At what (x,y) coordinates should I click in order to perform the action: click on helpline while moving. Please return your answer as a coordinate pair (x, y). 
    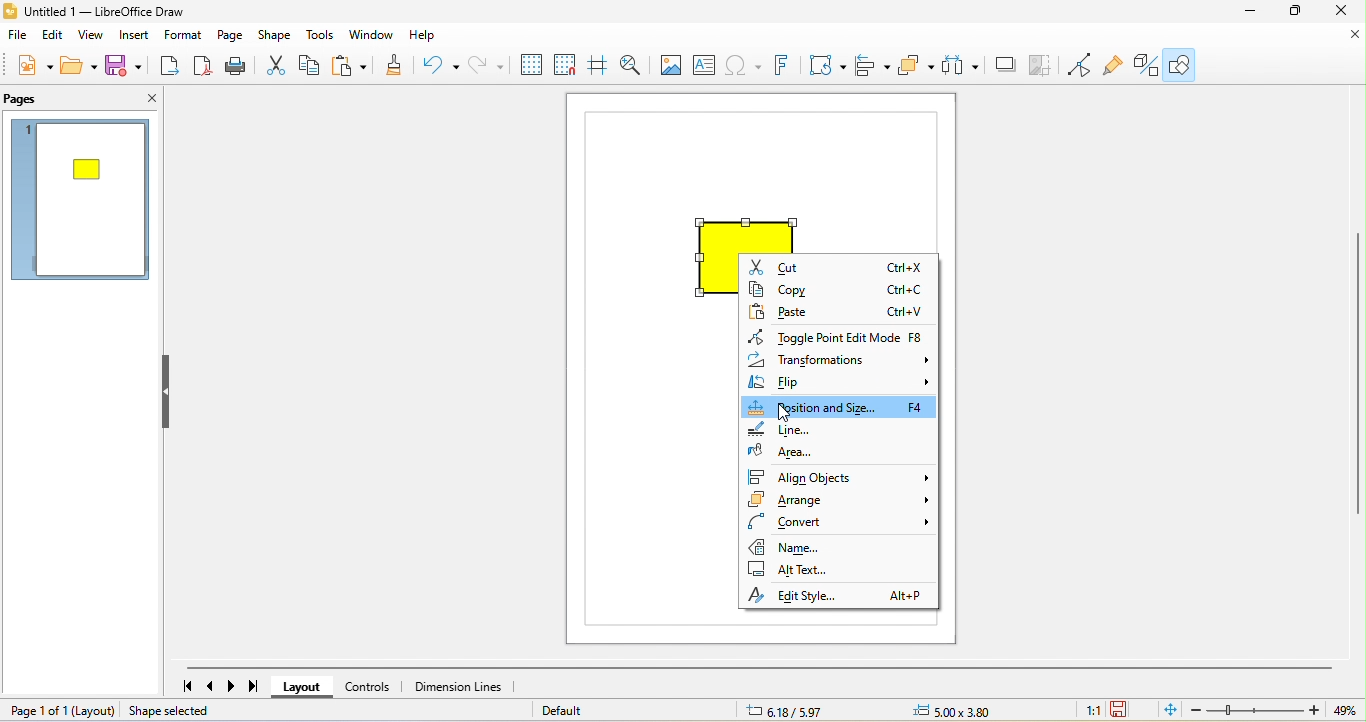
    Looking at the image, I should click on (600, 65).